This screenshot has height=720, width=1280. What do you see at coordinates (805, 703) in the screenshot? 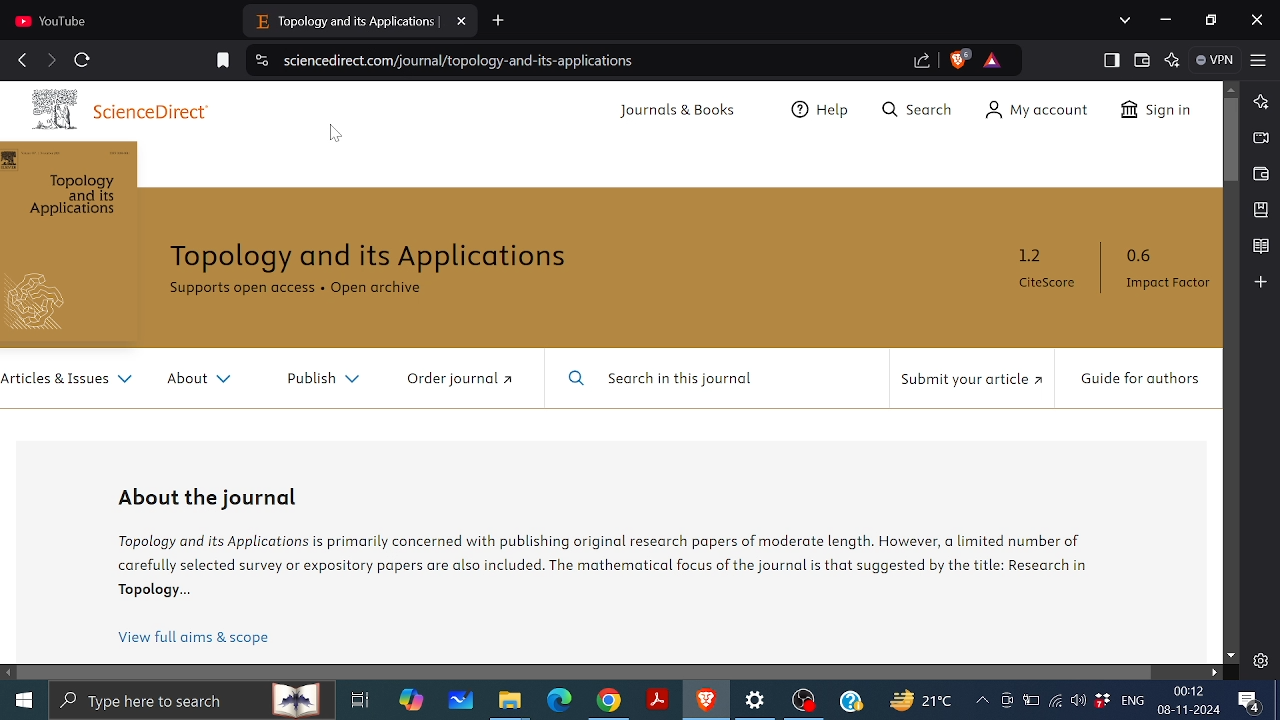
I see `OBS recorder` at bounding box center [805, 703].